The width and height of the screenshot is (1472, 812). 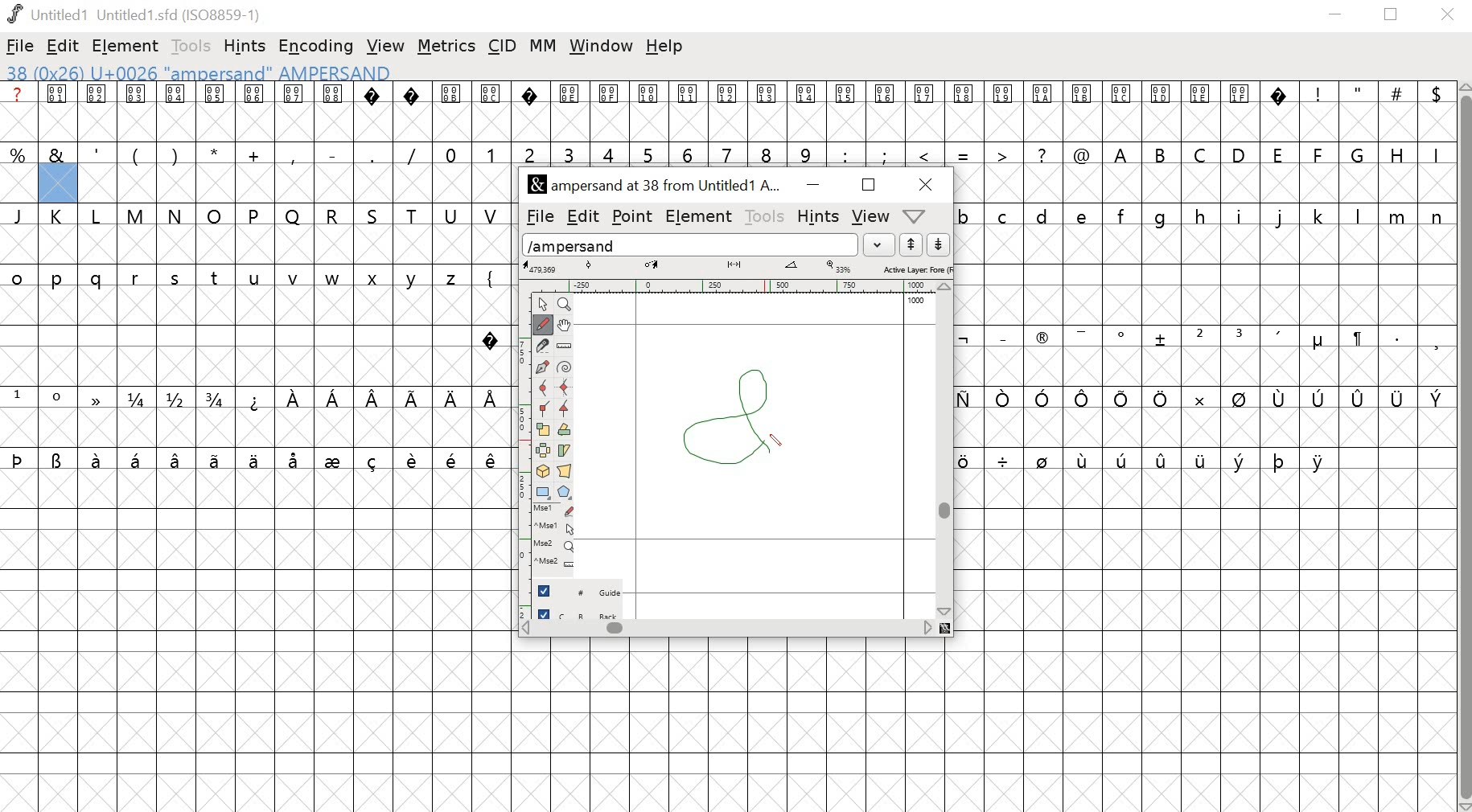 I want to click on 0001, so click(x=60, y=112).